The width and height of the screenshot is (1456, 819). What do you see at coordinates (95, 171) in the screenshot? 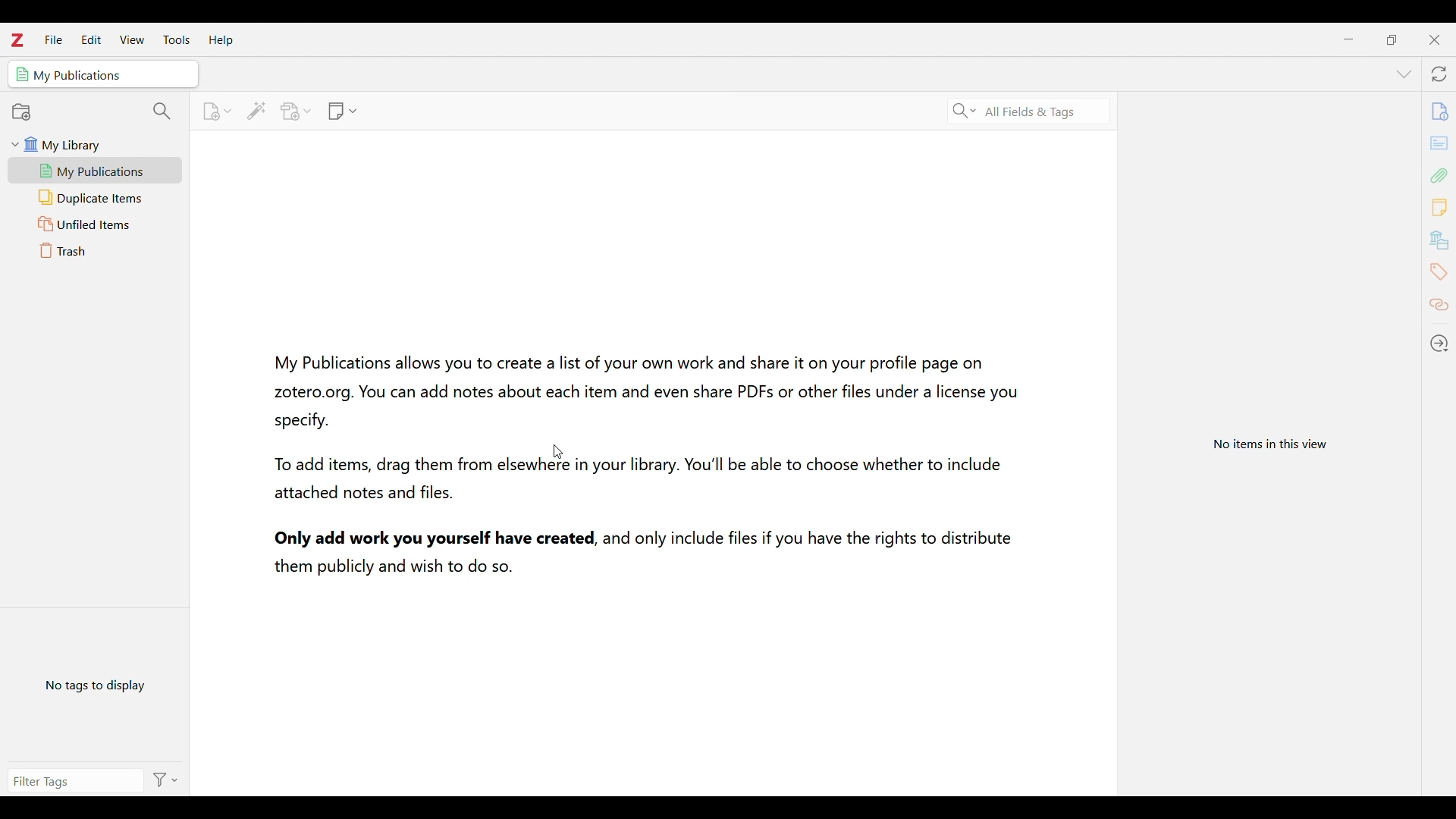
I see `My publications` at bounding box center [95, 171].